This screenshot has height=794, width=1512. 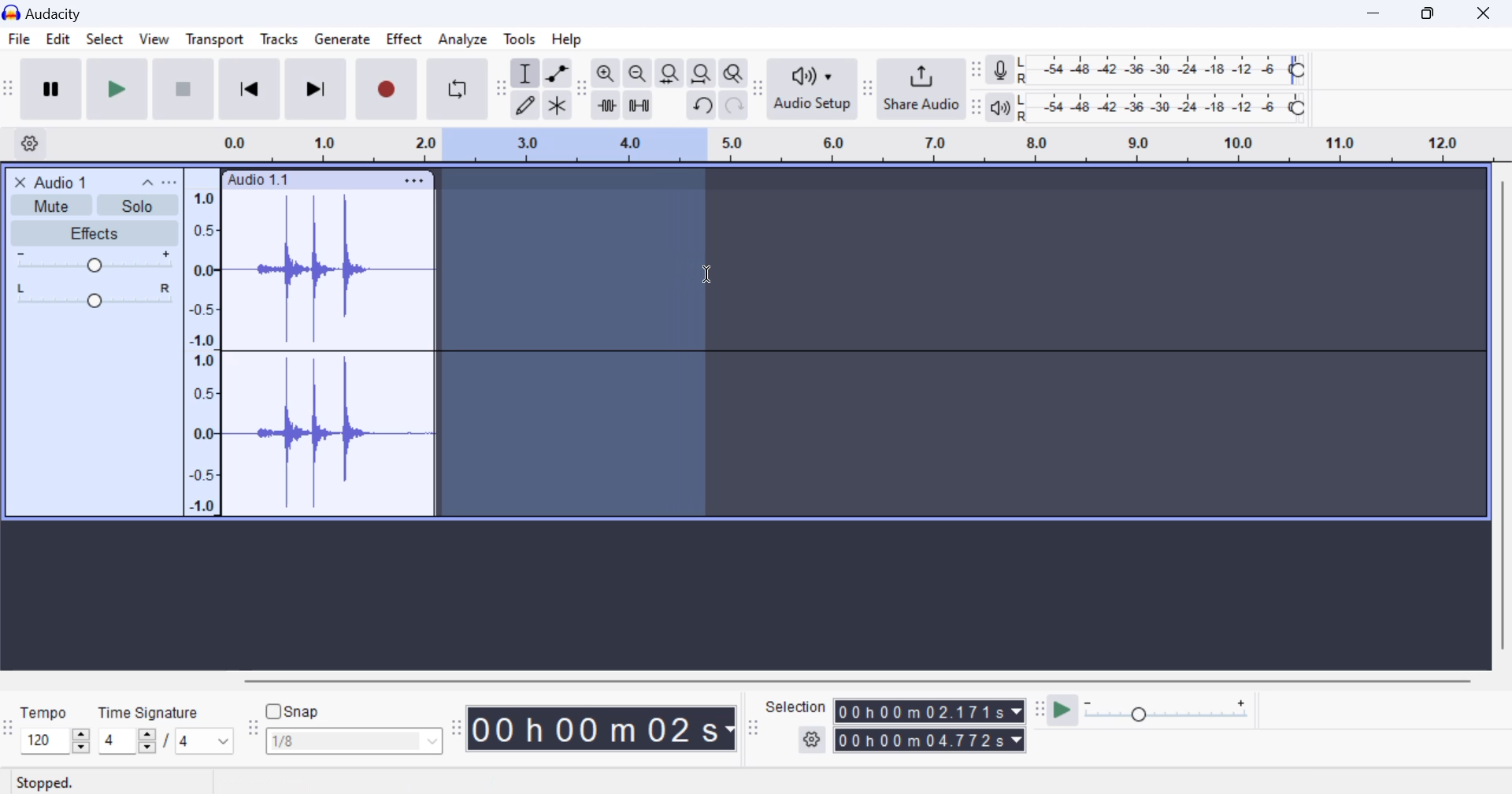 I want to click on redo, so click(x=734, y=106).